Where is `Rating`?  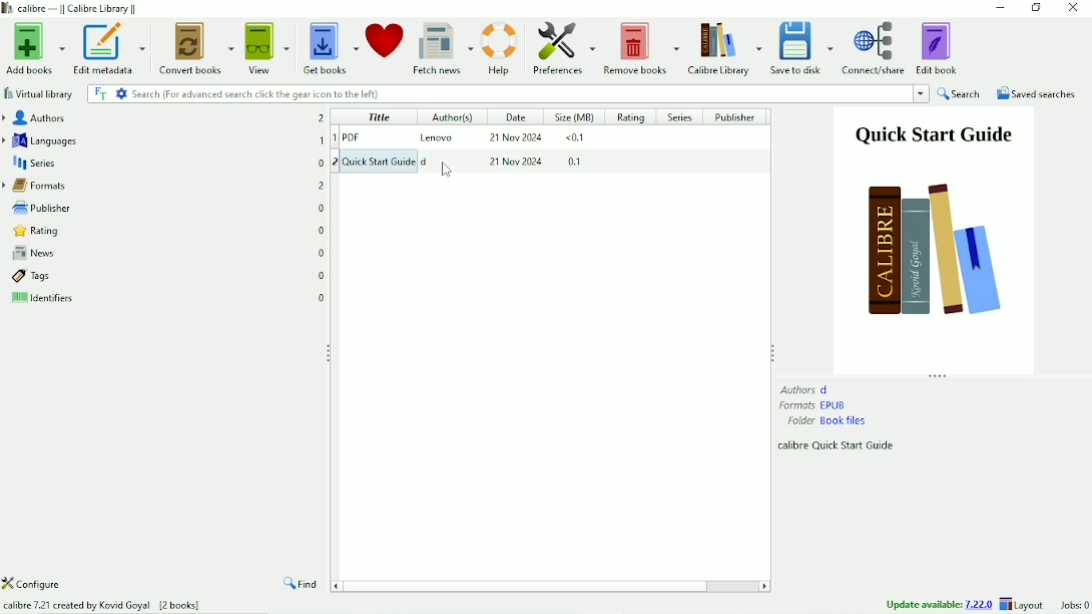 Rating is located at coordinates (164, 230).